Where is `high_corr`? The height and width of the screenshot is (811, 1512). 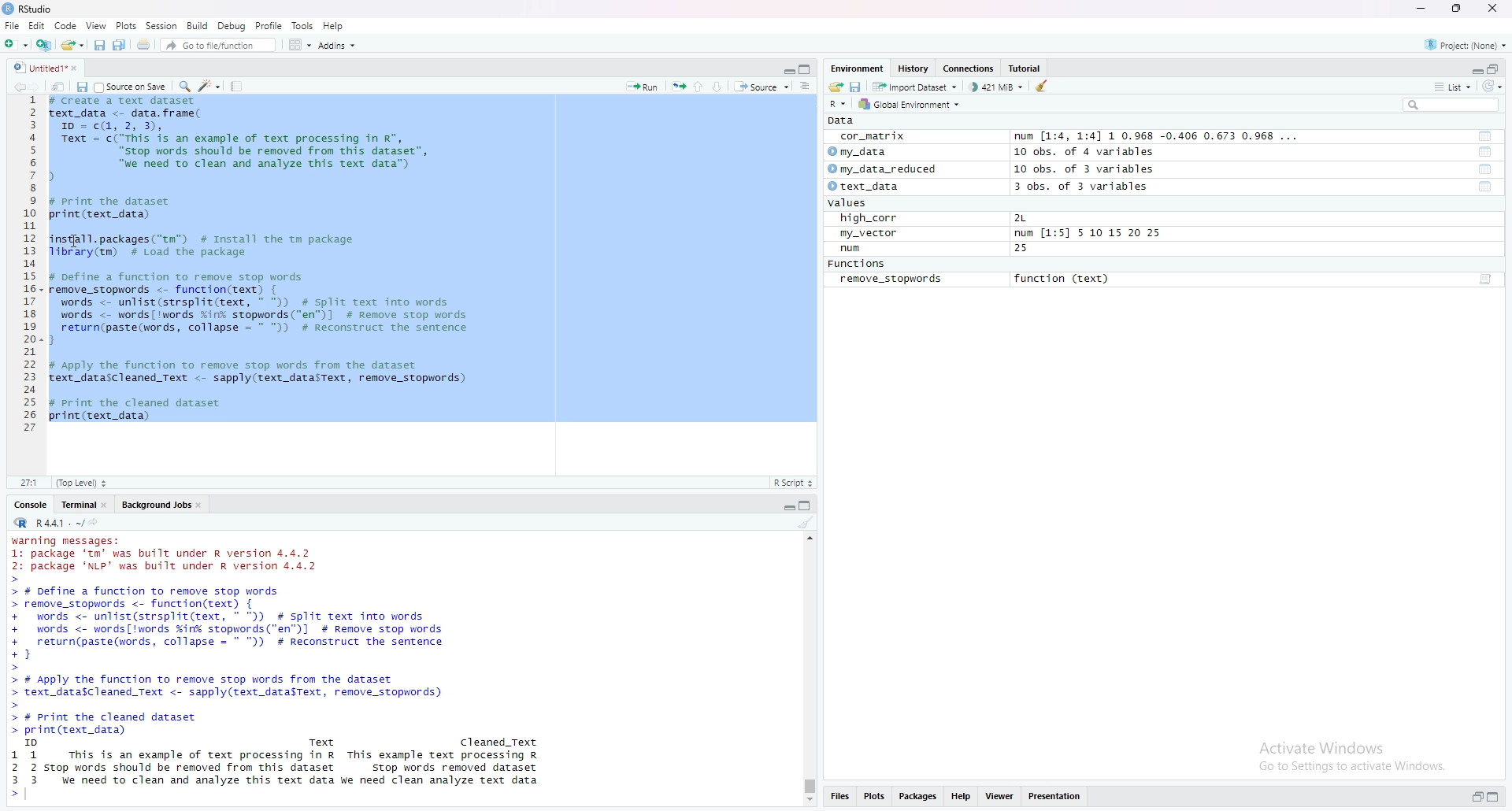
high_corr is located at coordinates (864, 218).